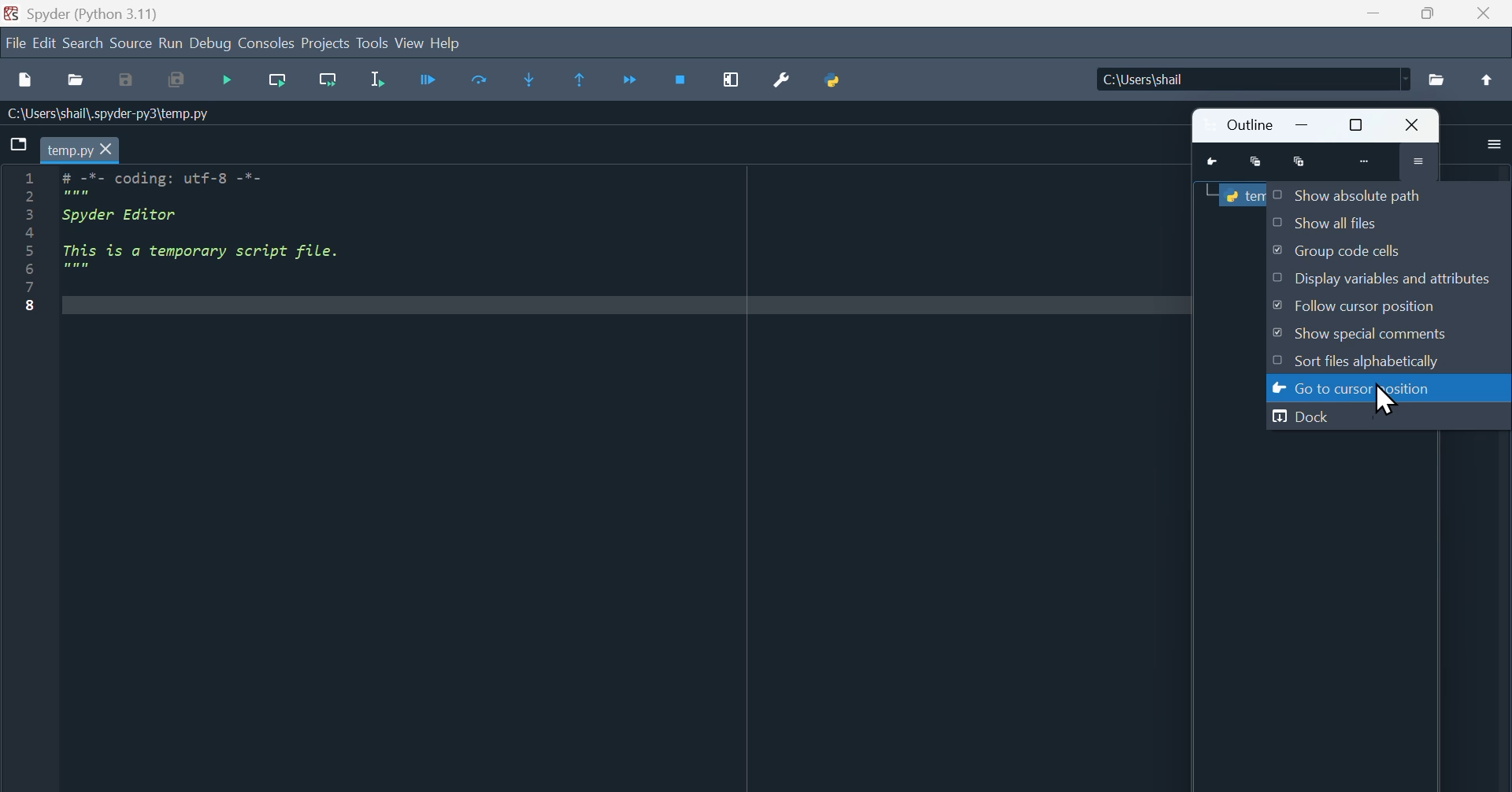  Describe the element at coordinates (629, 80) in the screenshot. I see `Continue execution until next function` at that location.